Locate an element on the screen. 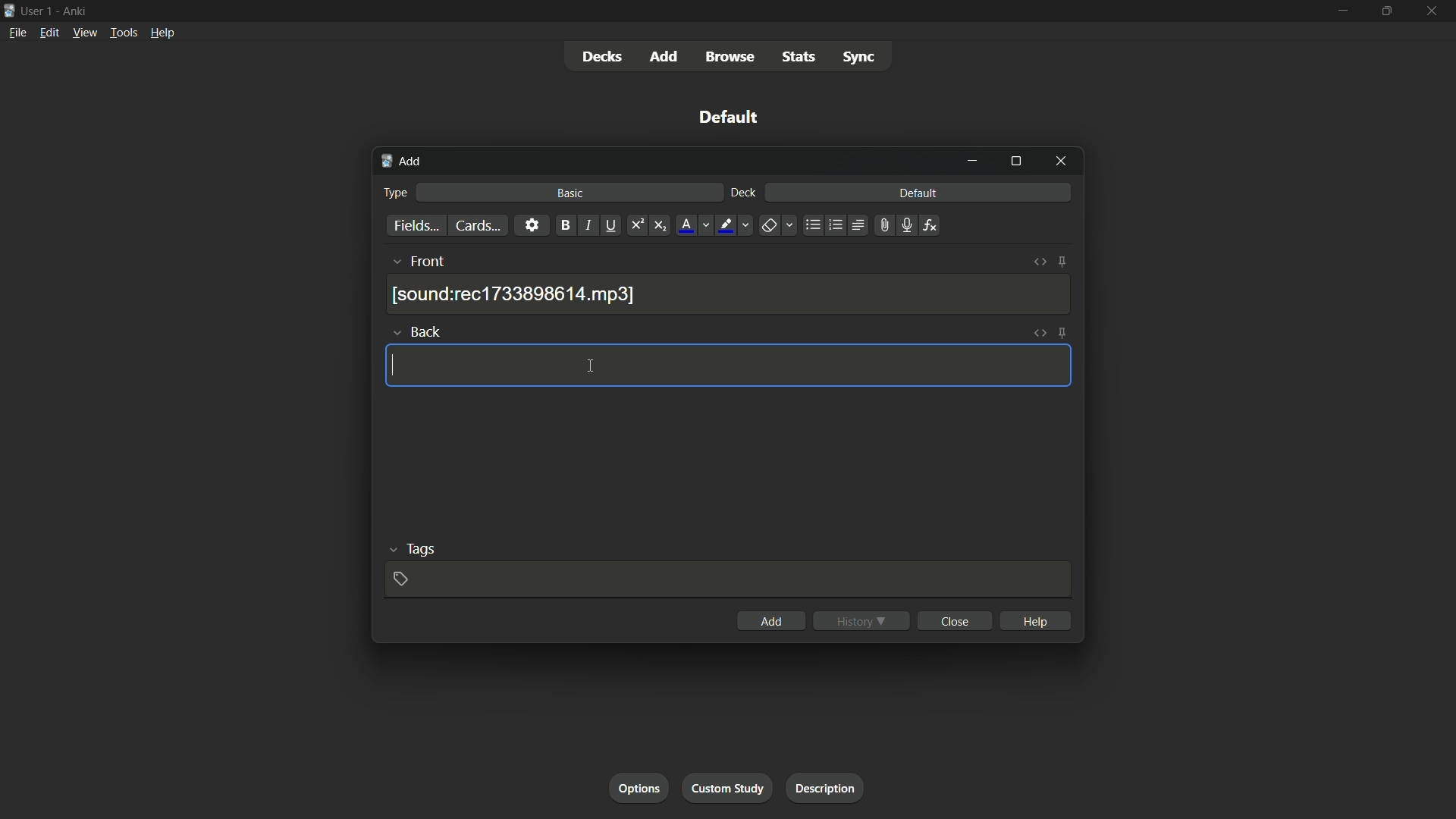 The width and height of the screenshot is (1456, 819). fields is located at coordinates (415, 226).